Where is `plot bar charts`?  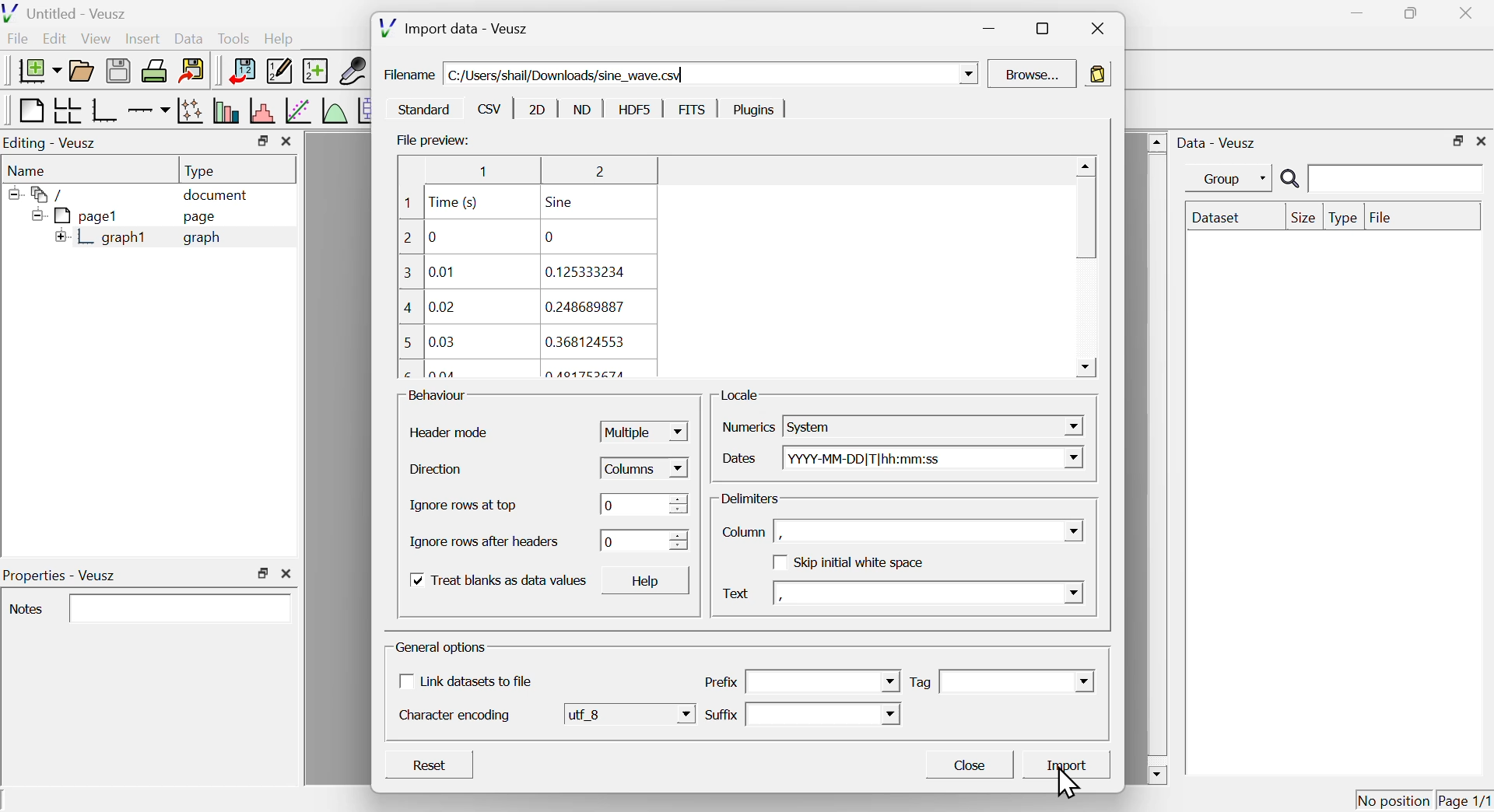 plot bar charts is located at coordinates (226, 112).